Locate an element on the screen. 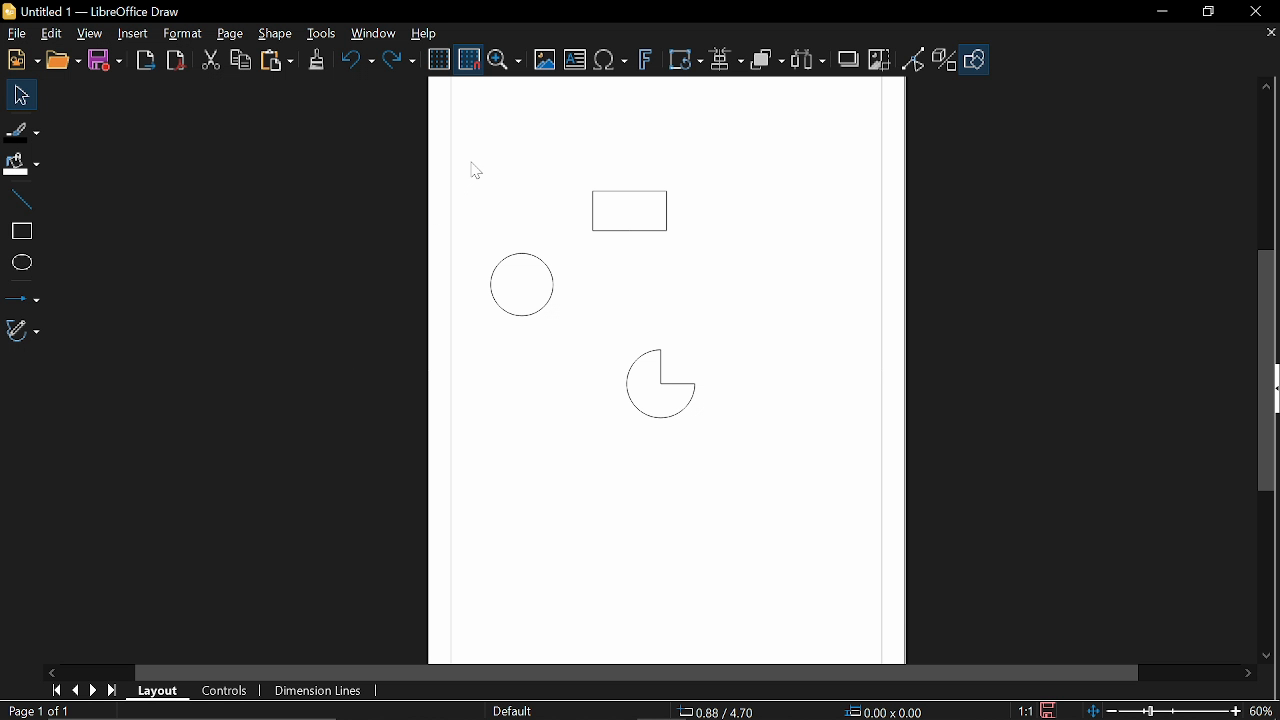 The image size is (1280, 720). paste is located at coordinates (278, 61).